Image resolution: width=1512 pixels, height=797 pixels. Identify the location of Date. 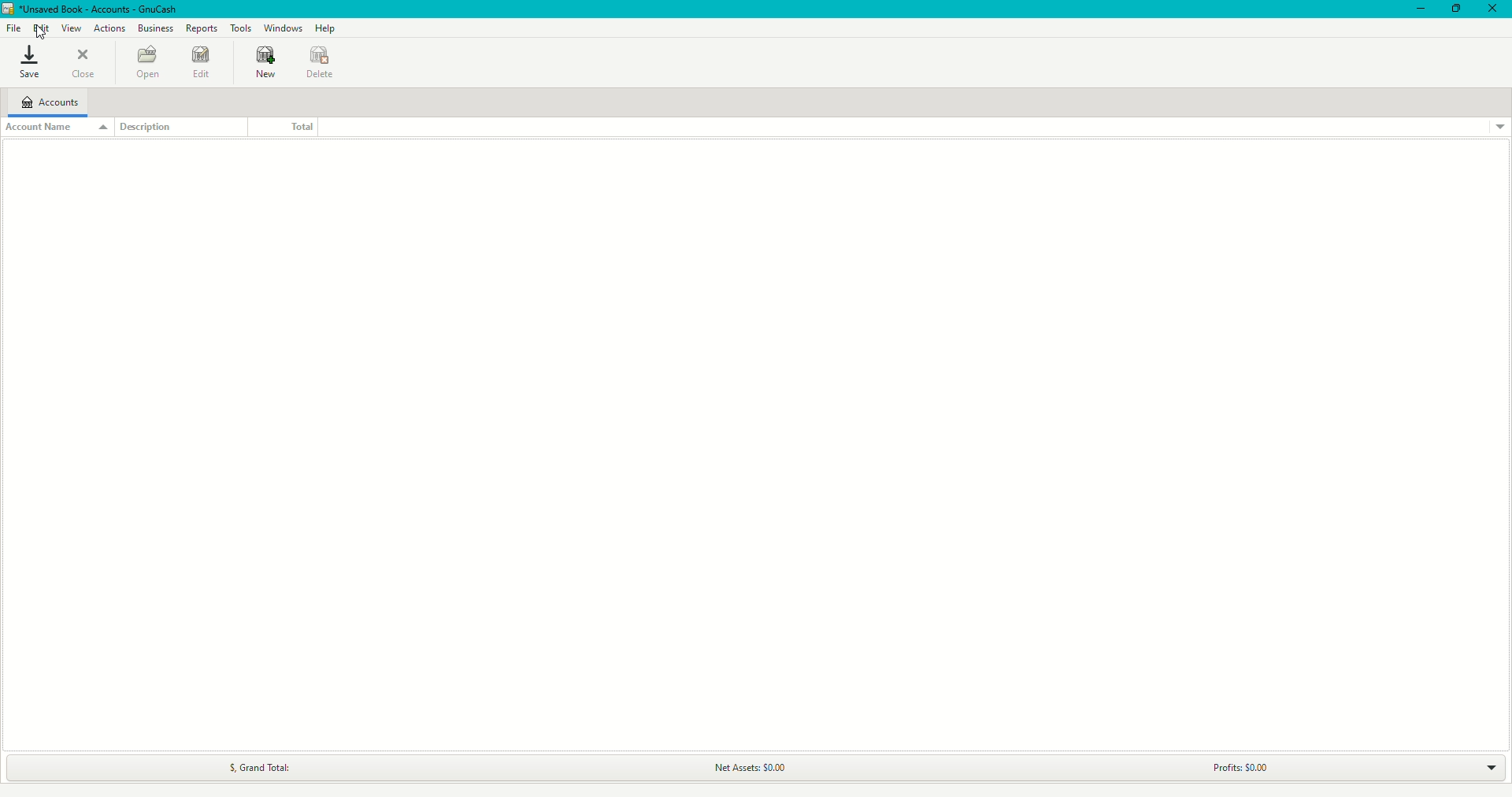
(323, 63).